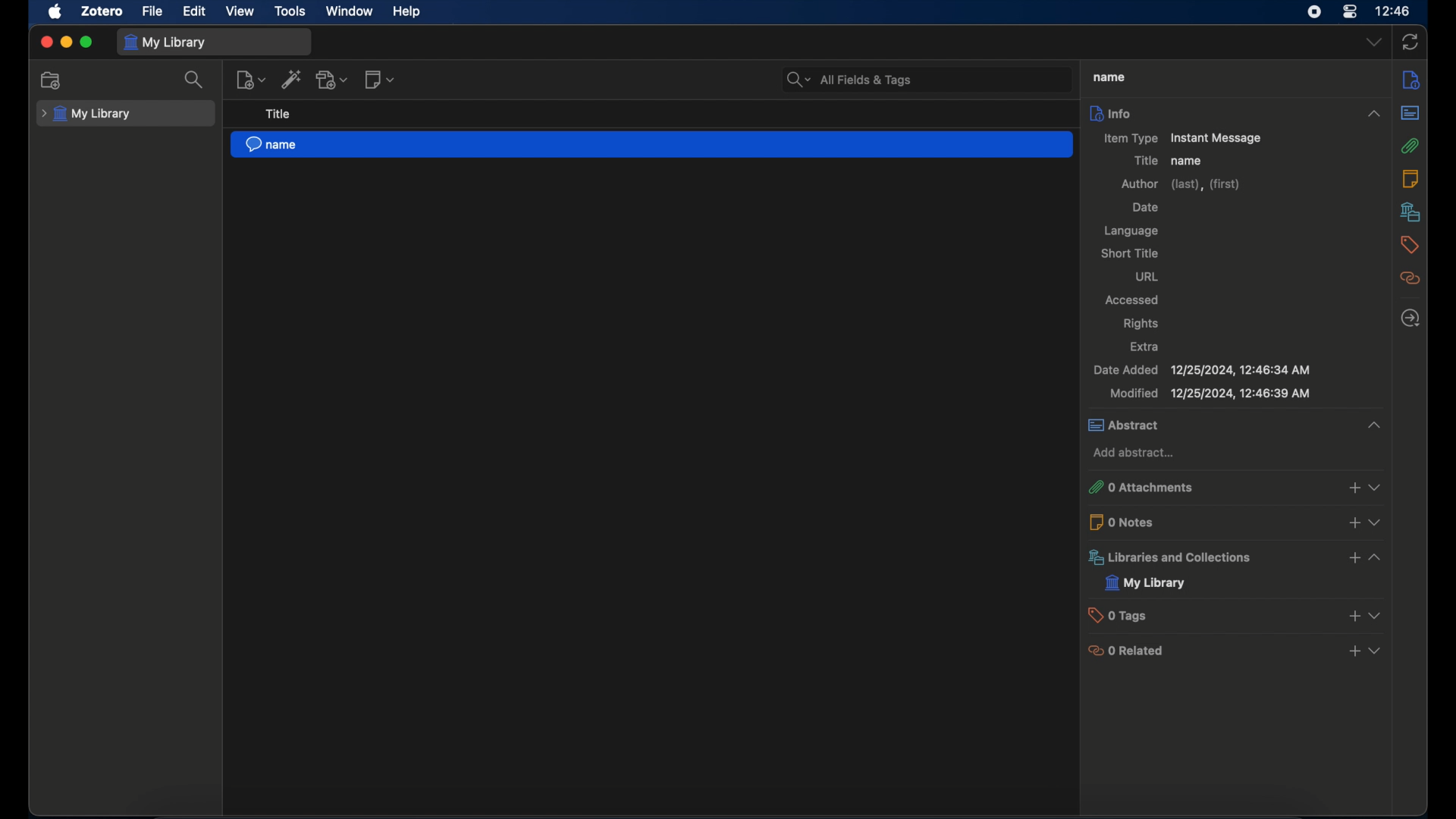 The image size is (1456, 819). I want to click on my library, so click(86, 114).